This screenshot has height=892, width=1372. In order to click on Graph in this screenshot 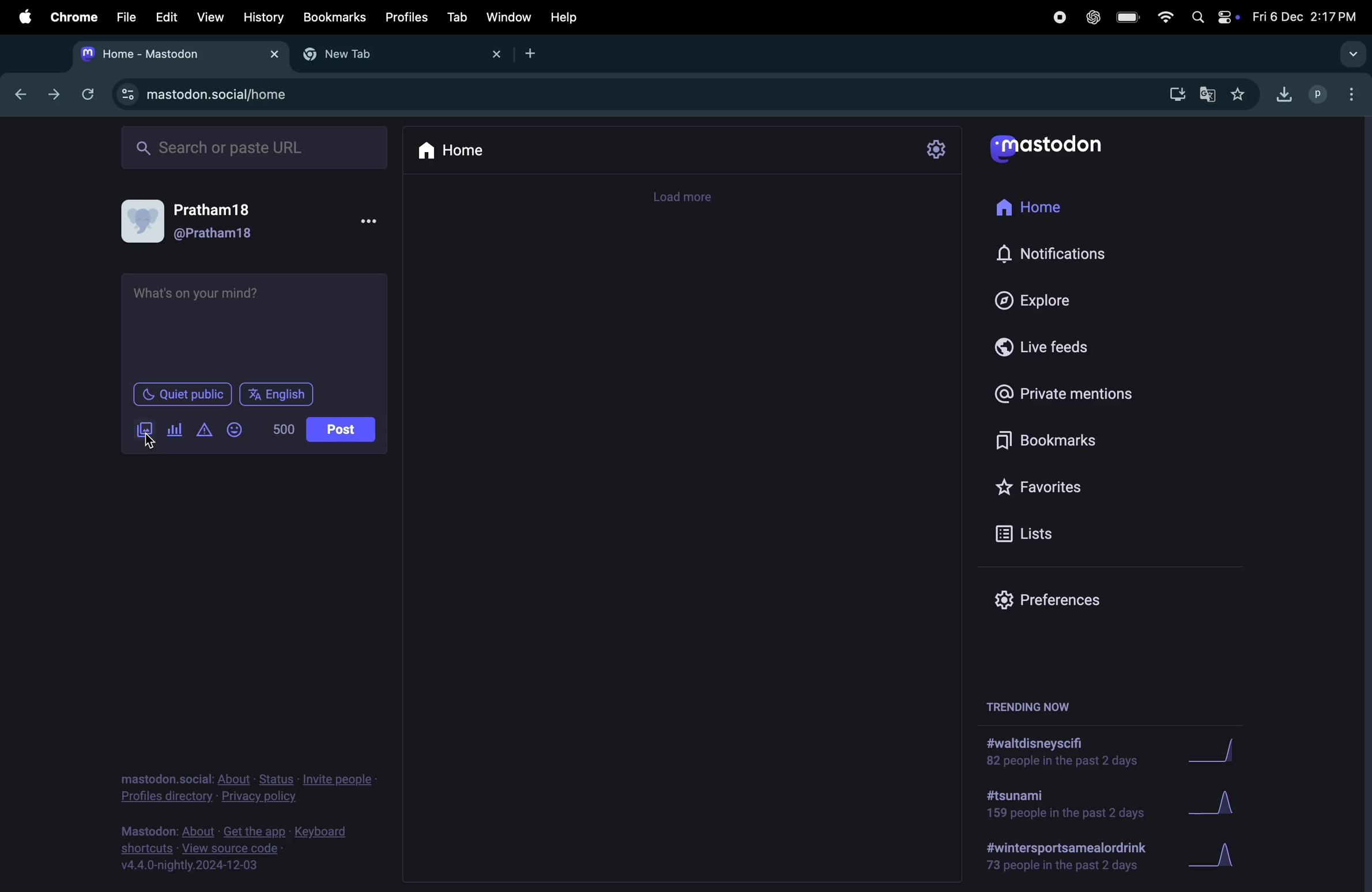, I will do `click(1222, 800)`.